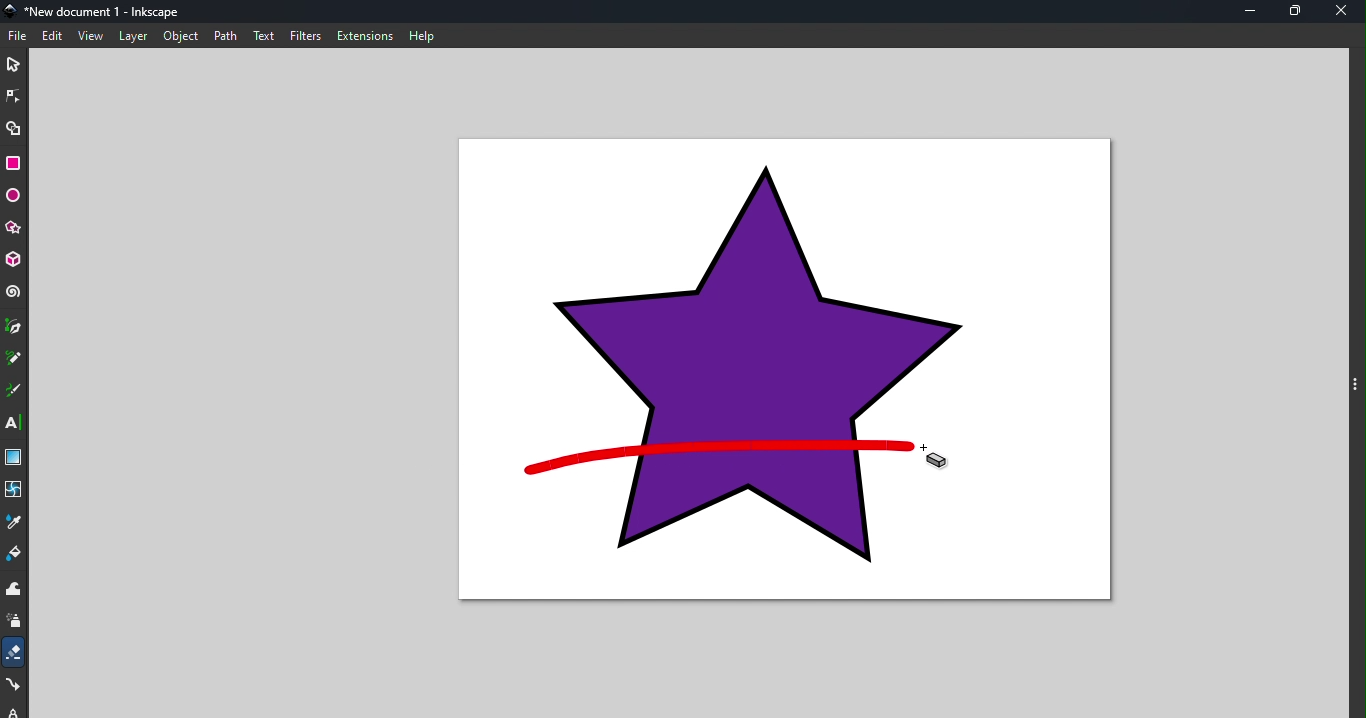  I want to click on toggle command panel, so click(1355, 383).